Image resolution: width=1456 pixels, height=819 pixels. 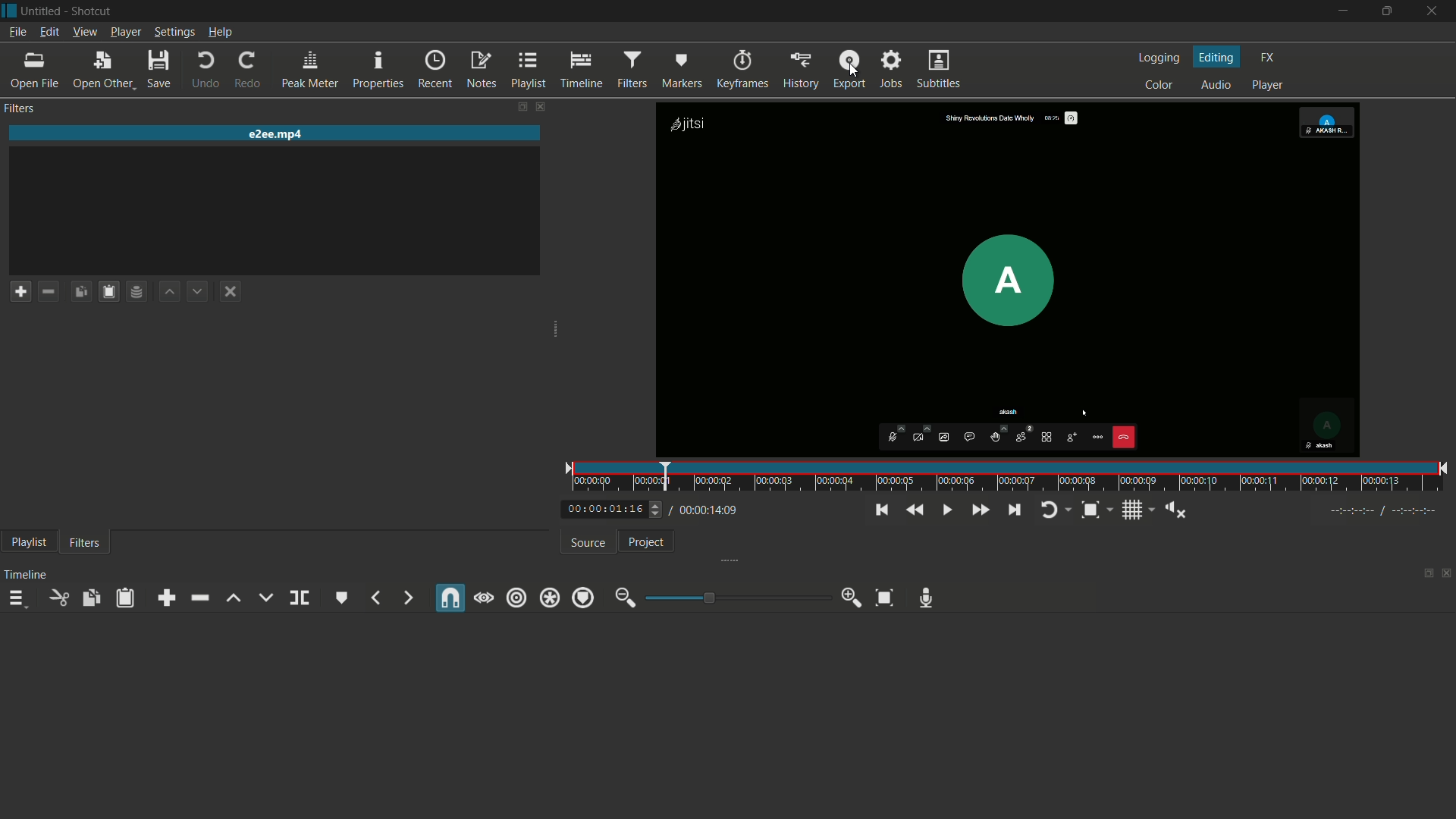 What do you see at coordinates (1385, 11) in the screenshot?
I see `maximize` at bounding box center [1385, 11].